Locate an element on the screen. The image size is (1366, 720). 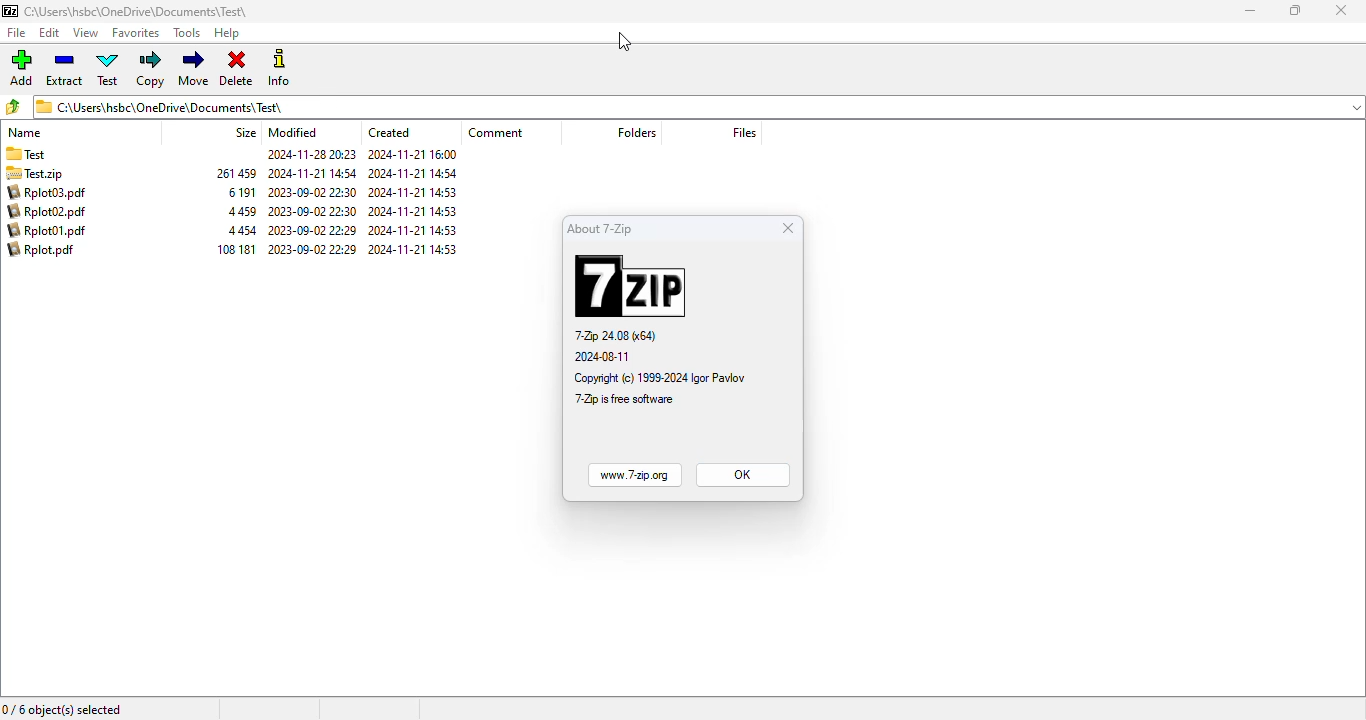
copyright (c) 1999-2024 Igor Pavlov is located at coordinates (658, 377).